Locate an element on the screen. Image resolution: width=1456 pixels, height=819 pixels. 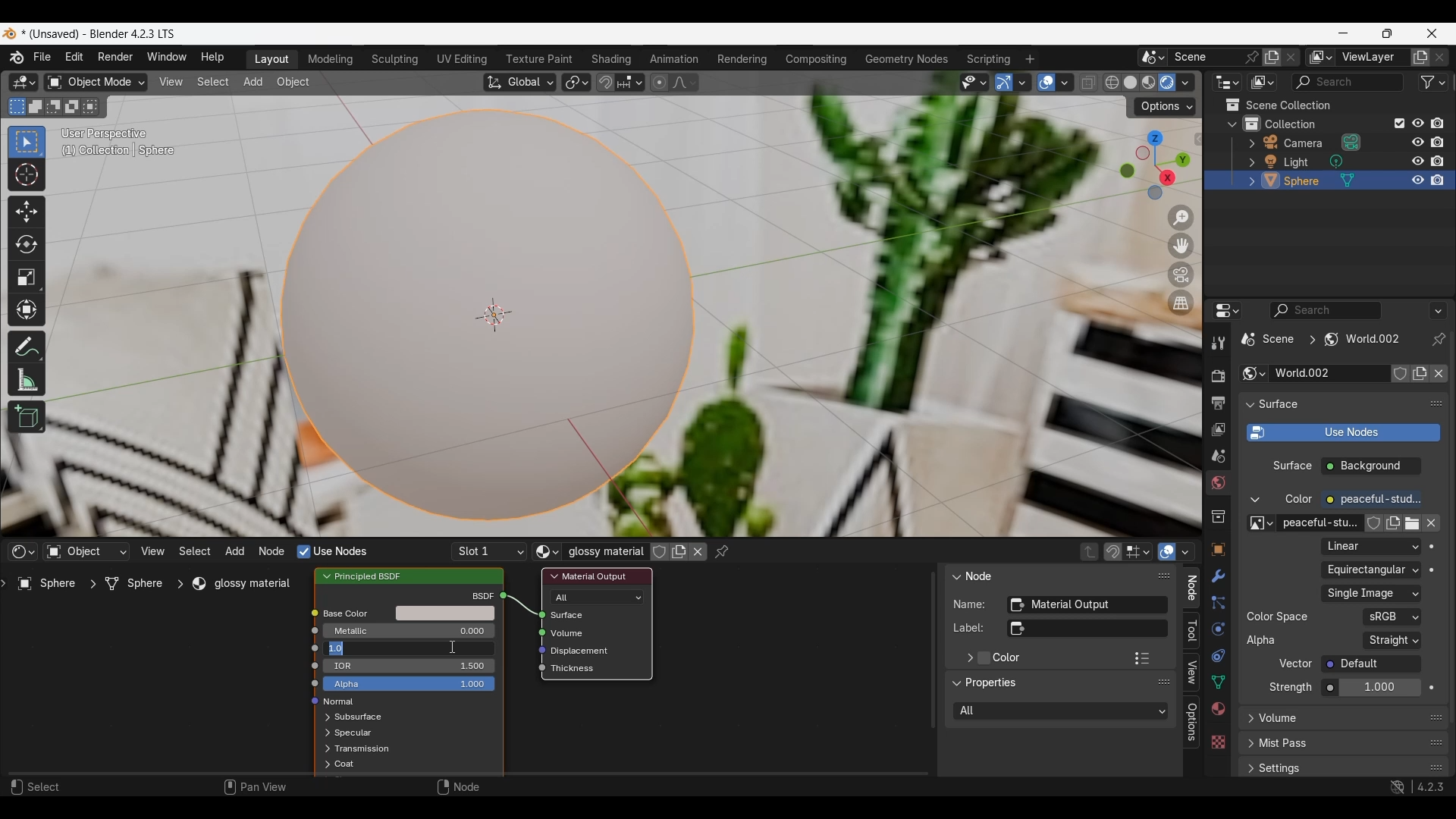
Expand respective scenes is located at coordinates (1247, 146).